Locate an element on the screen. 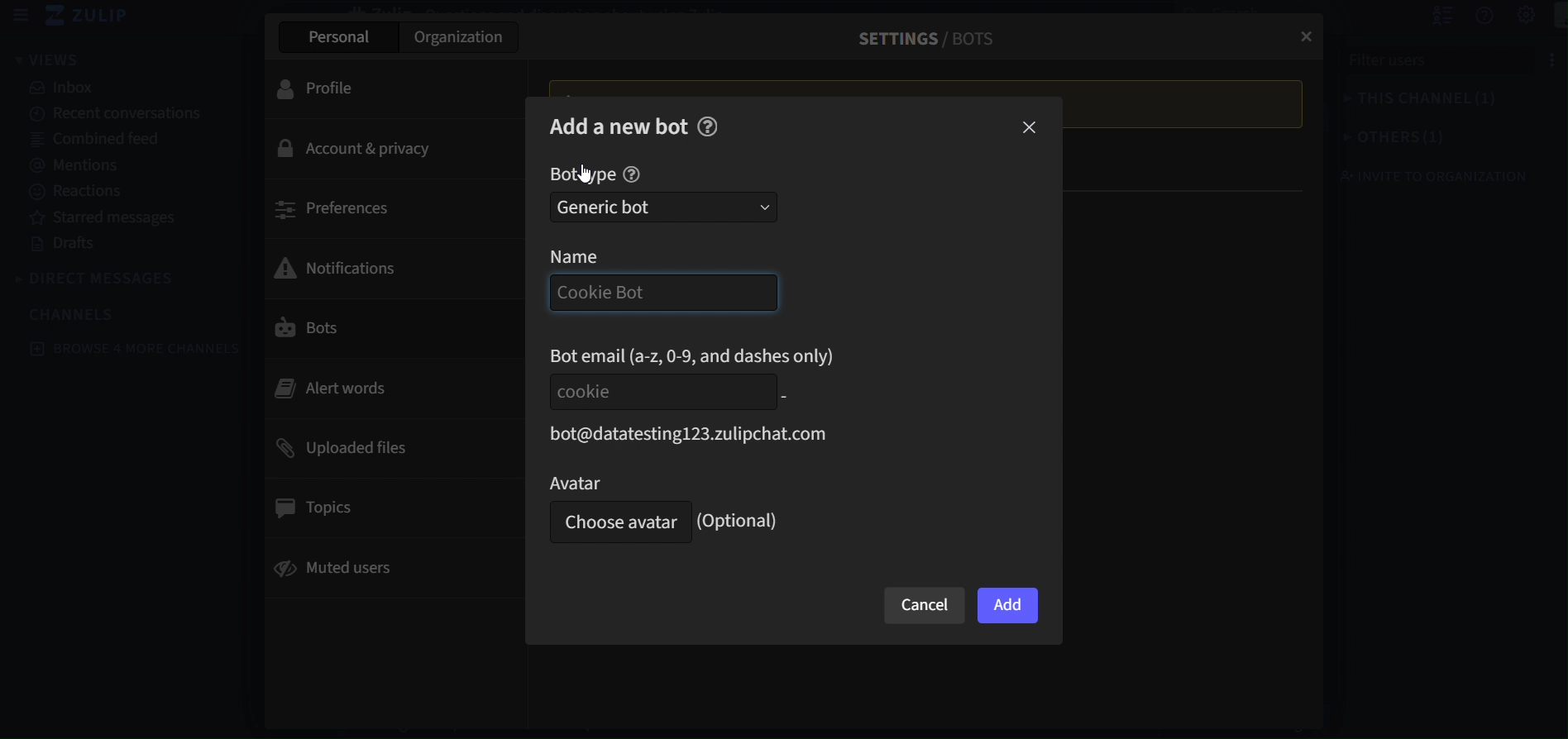 Image resolution: width=1568 pixels, height=739 pixels. channels is located at coordinates (83, 313).